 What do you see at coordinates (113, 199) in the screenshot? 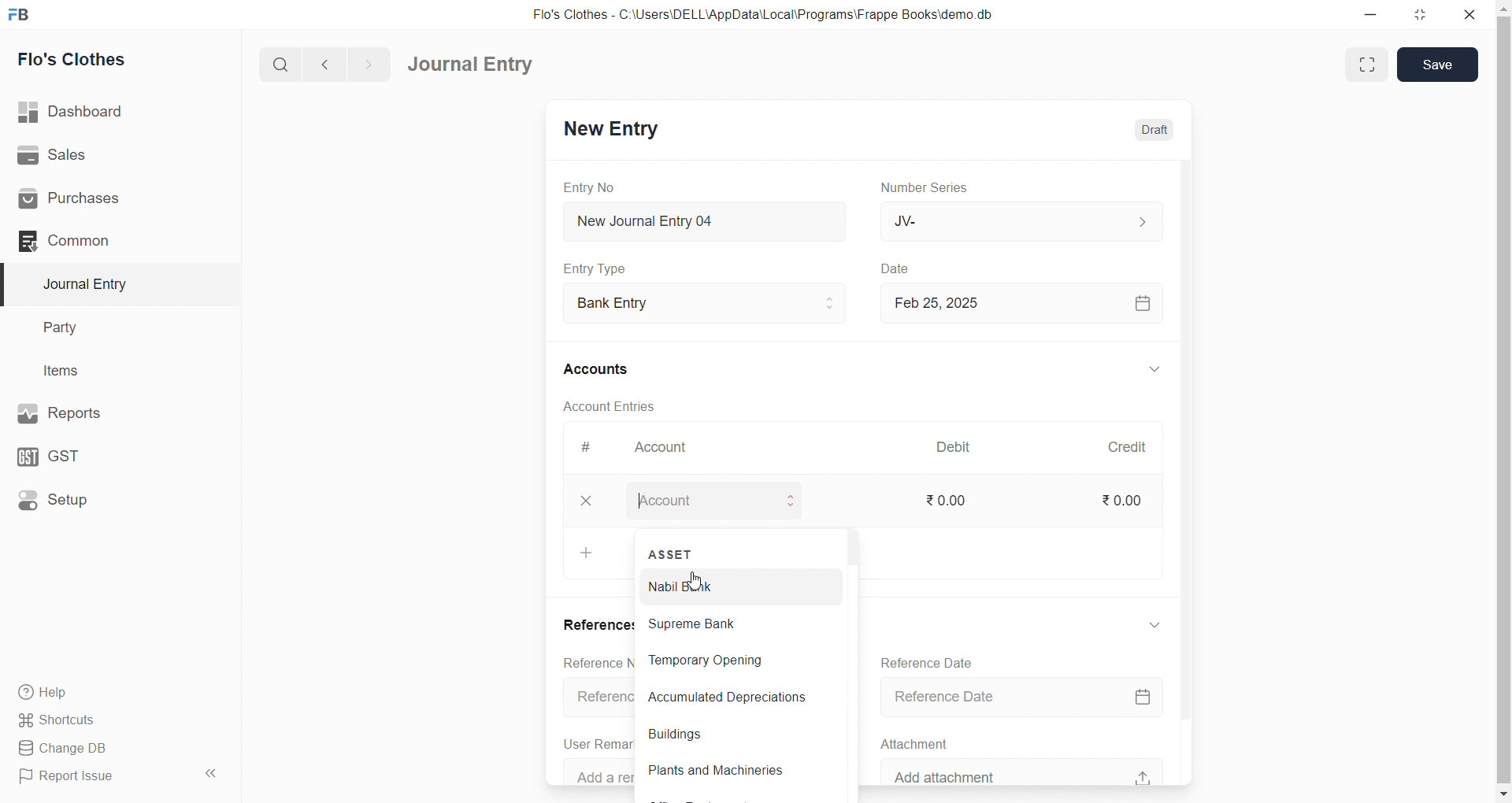
I see `Purchases` at bounding box center [113, 199].